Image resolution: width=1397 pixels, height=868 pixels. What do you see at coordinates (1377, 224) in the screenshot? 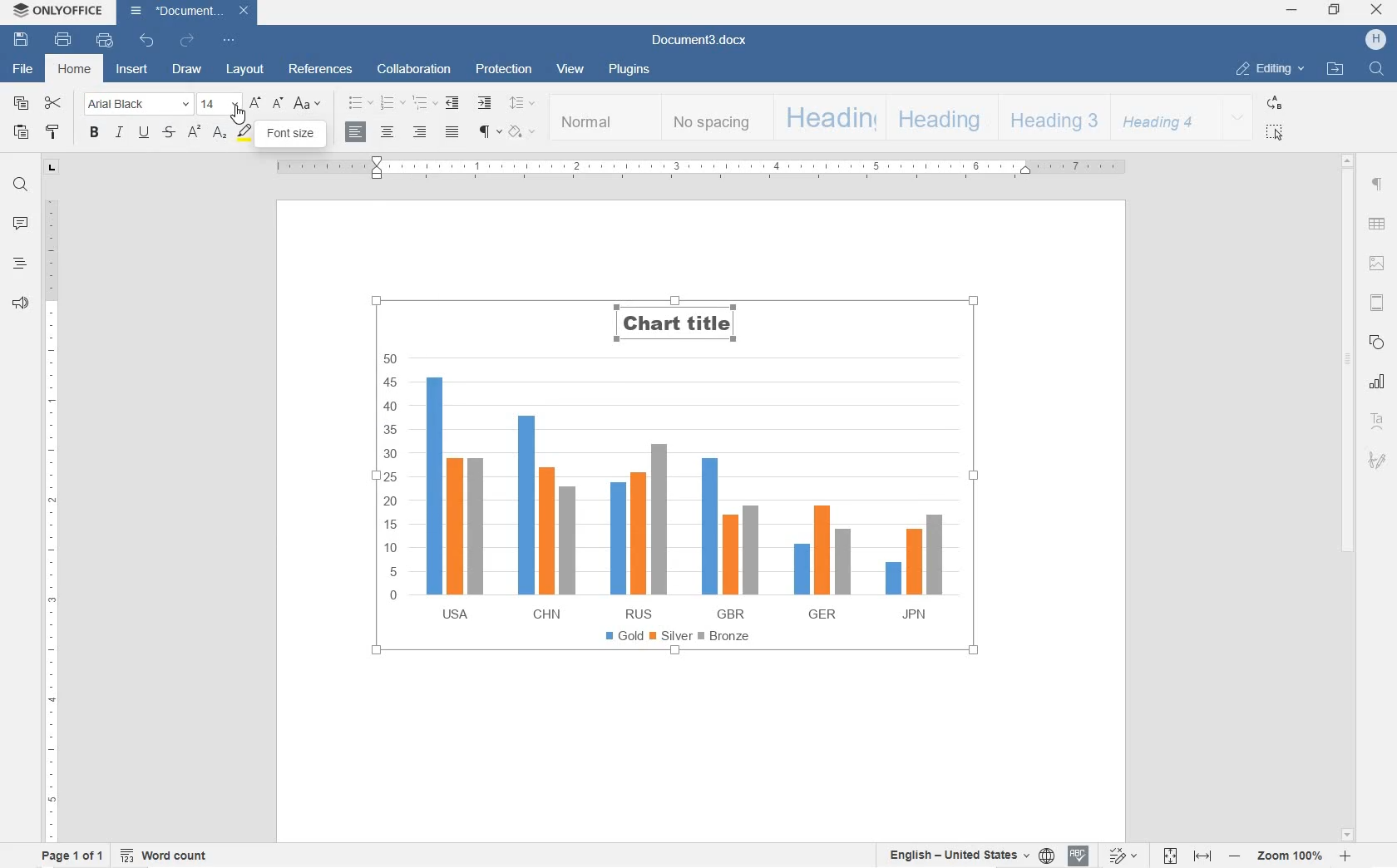
I see `TABLE SETTINGS` at bounding box center [1377, 224].